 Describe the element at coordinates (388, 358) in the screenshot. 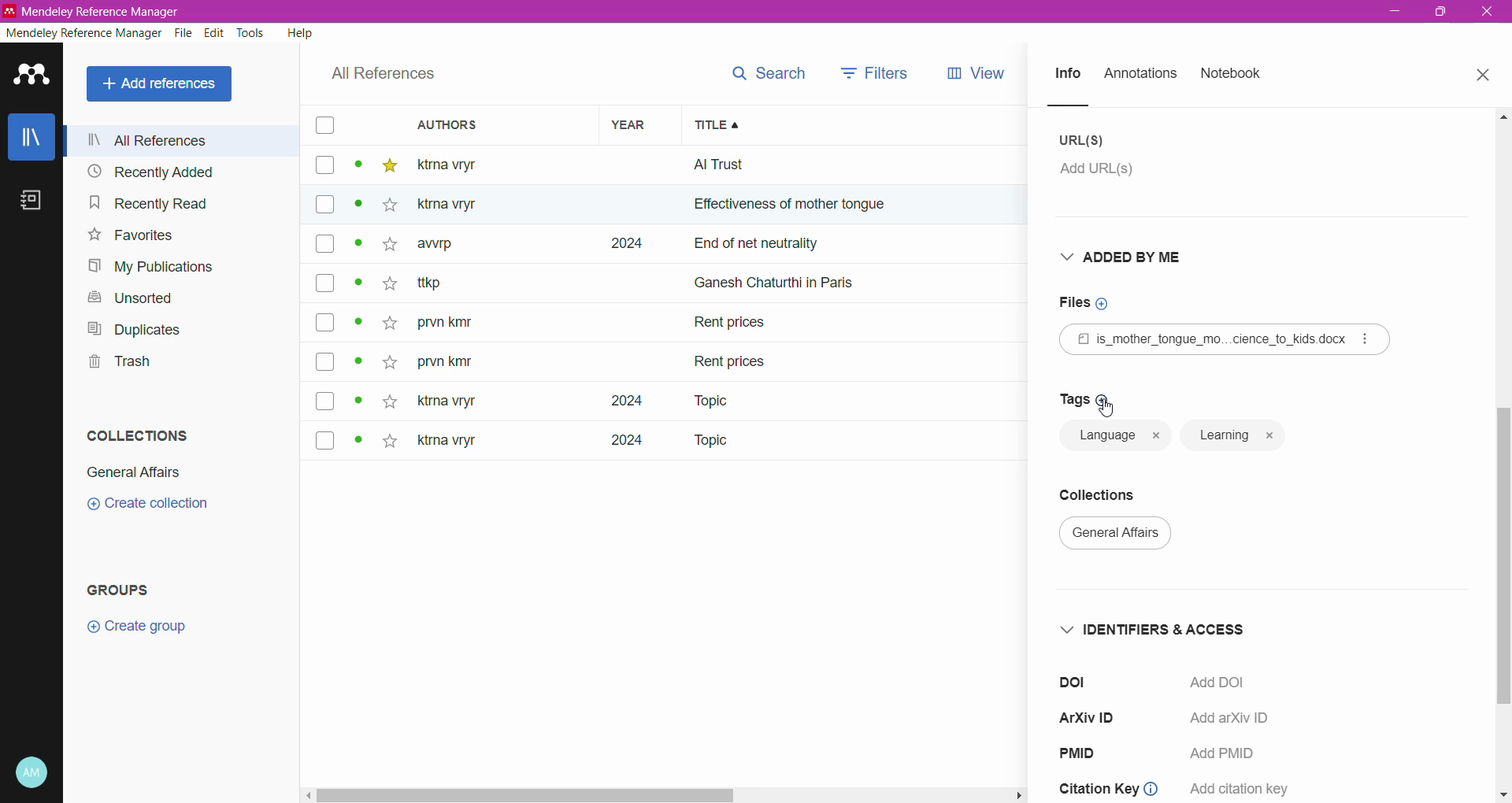

I see `star` at that location.